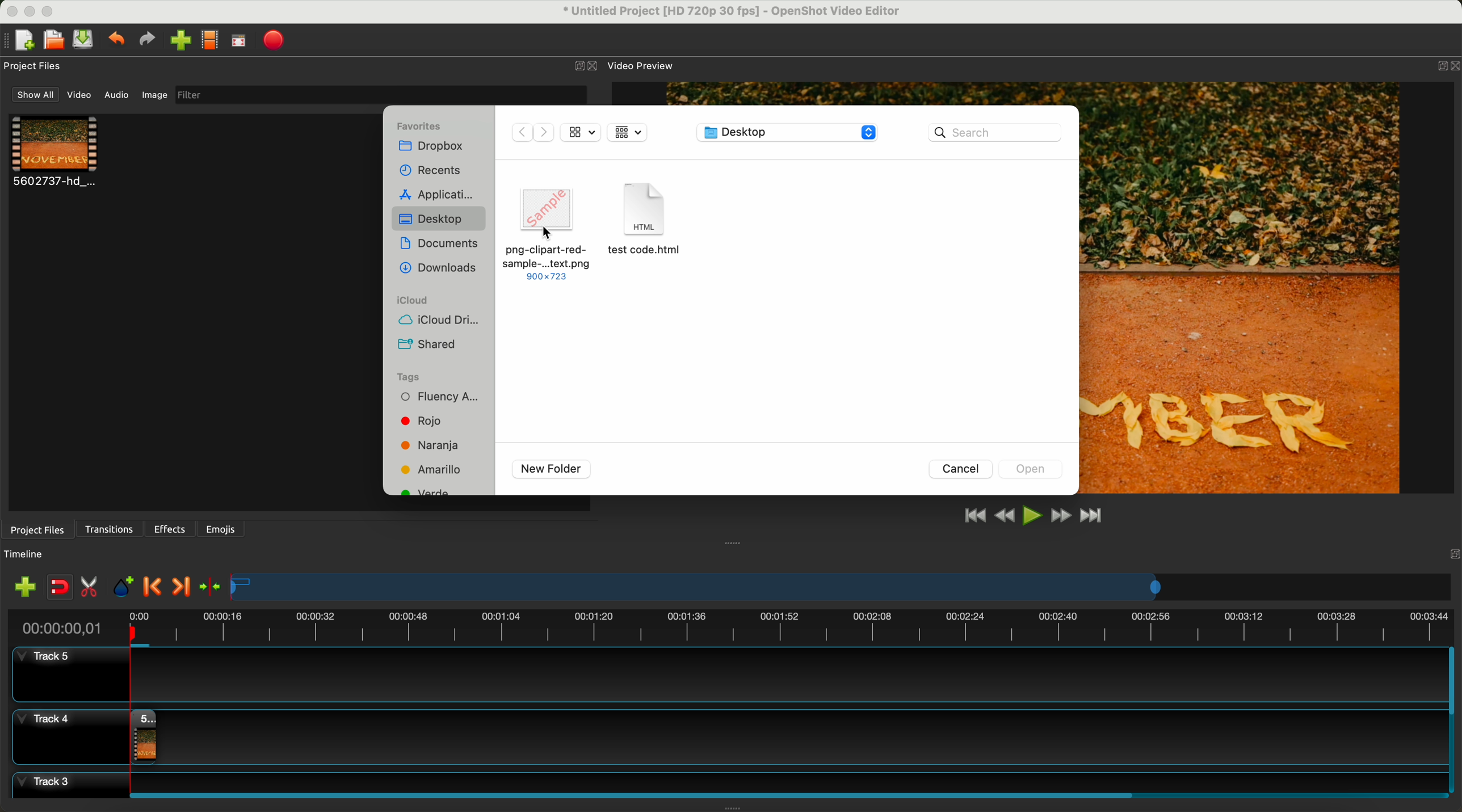 The height and width of the screenshot is (812, 1462). I want to click on video, so click(81, 97).